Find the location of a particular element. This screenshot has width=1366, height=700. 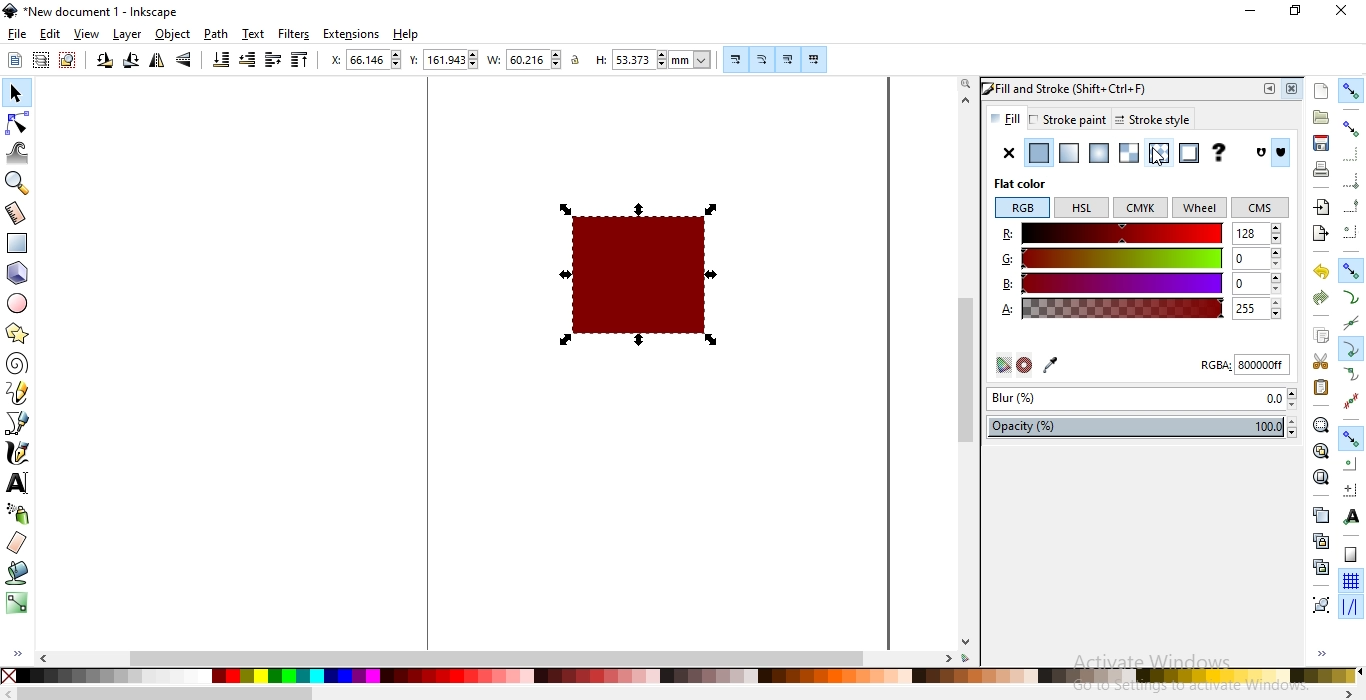

flat color is located at coordinates (1029, 184).